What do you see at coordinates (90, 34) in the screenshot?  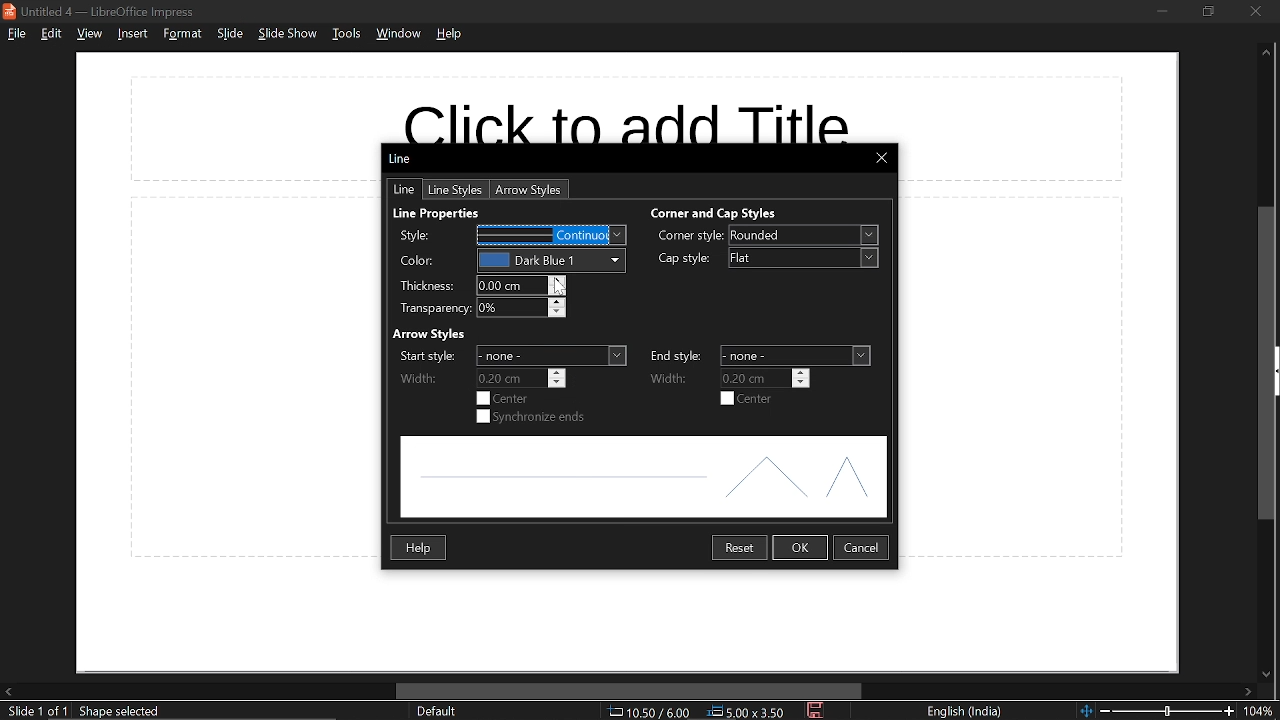 I see `view` at bounding box center [90, 34].